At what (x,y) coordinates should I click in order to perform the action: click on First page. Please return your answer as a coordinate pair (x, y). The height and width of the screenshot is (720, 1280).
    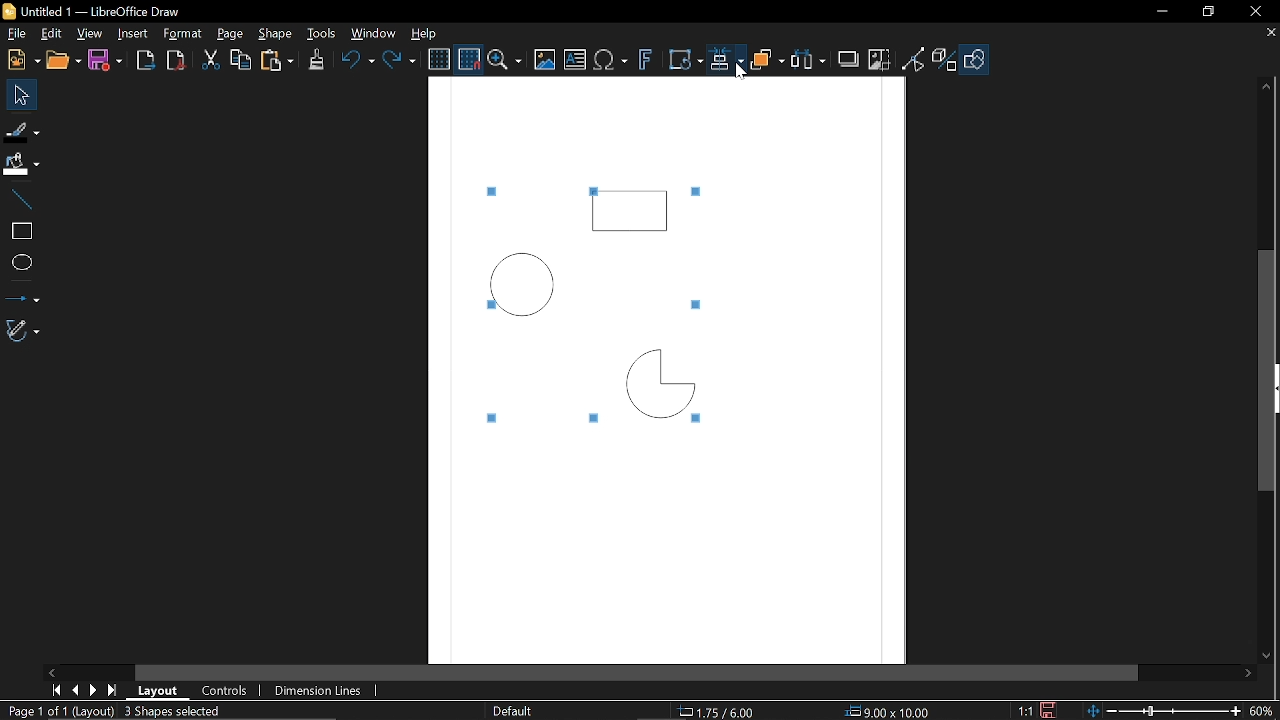
    Looking at the image, I should click on (54, 691).